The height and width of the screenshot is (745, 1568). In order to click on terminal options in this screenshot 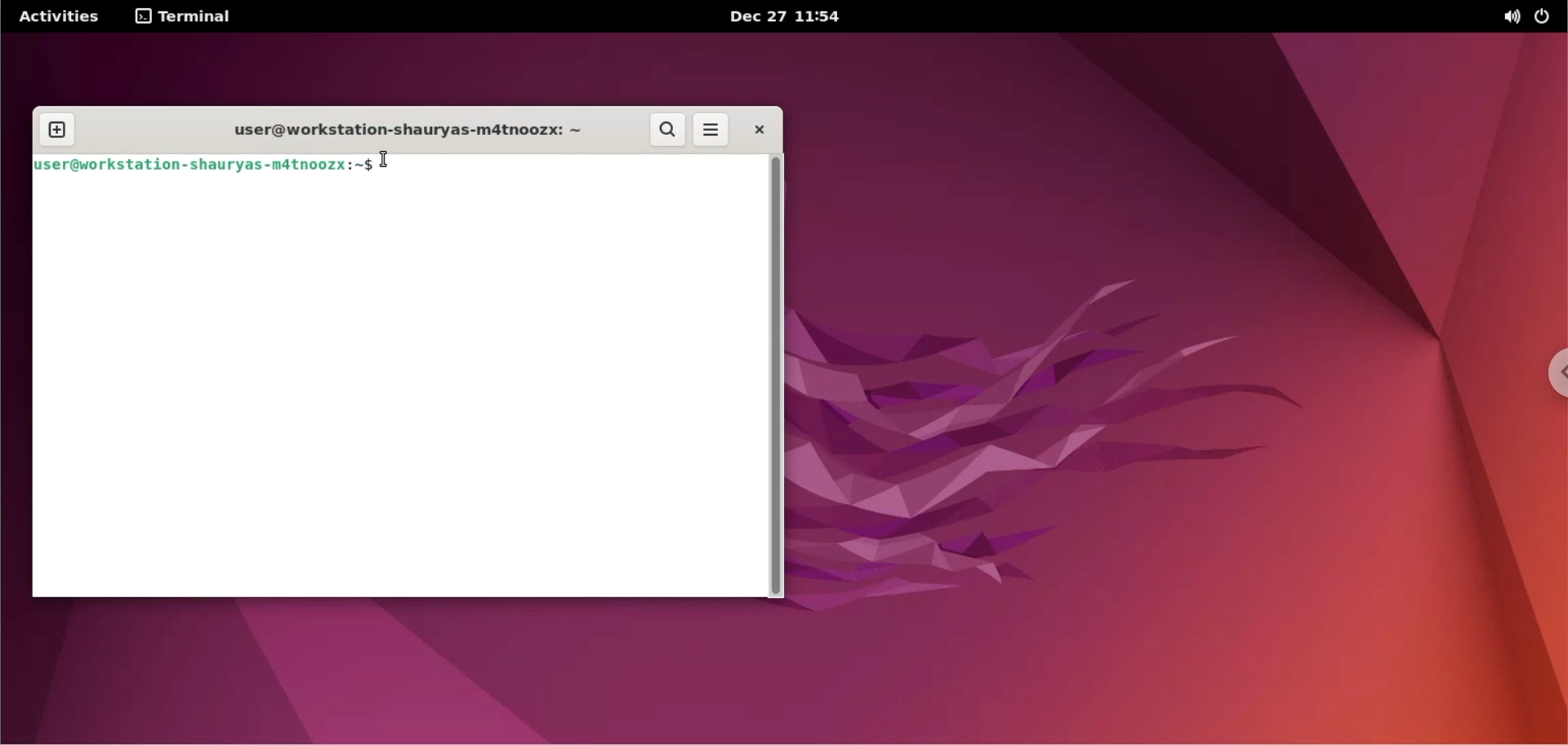, I will do `click(184, 17)`.